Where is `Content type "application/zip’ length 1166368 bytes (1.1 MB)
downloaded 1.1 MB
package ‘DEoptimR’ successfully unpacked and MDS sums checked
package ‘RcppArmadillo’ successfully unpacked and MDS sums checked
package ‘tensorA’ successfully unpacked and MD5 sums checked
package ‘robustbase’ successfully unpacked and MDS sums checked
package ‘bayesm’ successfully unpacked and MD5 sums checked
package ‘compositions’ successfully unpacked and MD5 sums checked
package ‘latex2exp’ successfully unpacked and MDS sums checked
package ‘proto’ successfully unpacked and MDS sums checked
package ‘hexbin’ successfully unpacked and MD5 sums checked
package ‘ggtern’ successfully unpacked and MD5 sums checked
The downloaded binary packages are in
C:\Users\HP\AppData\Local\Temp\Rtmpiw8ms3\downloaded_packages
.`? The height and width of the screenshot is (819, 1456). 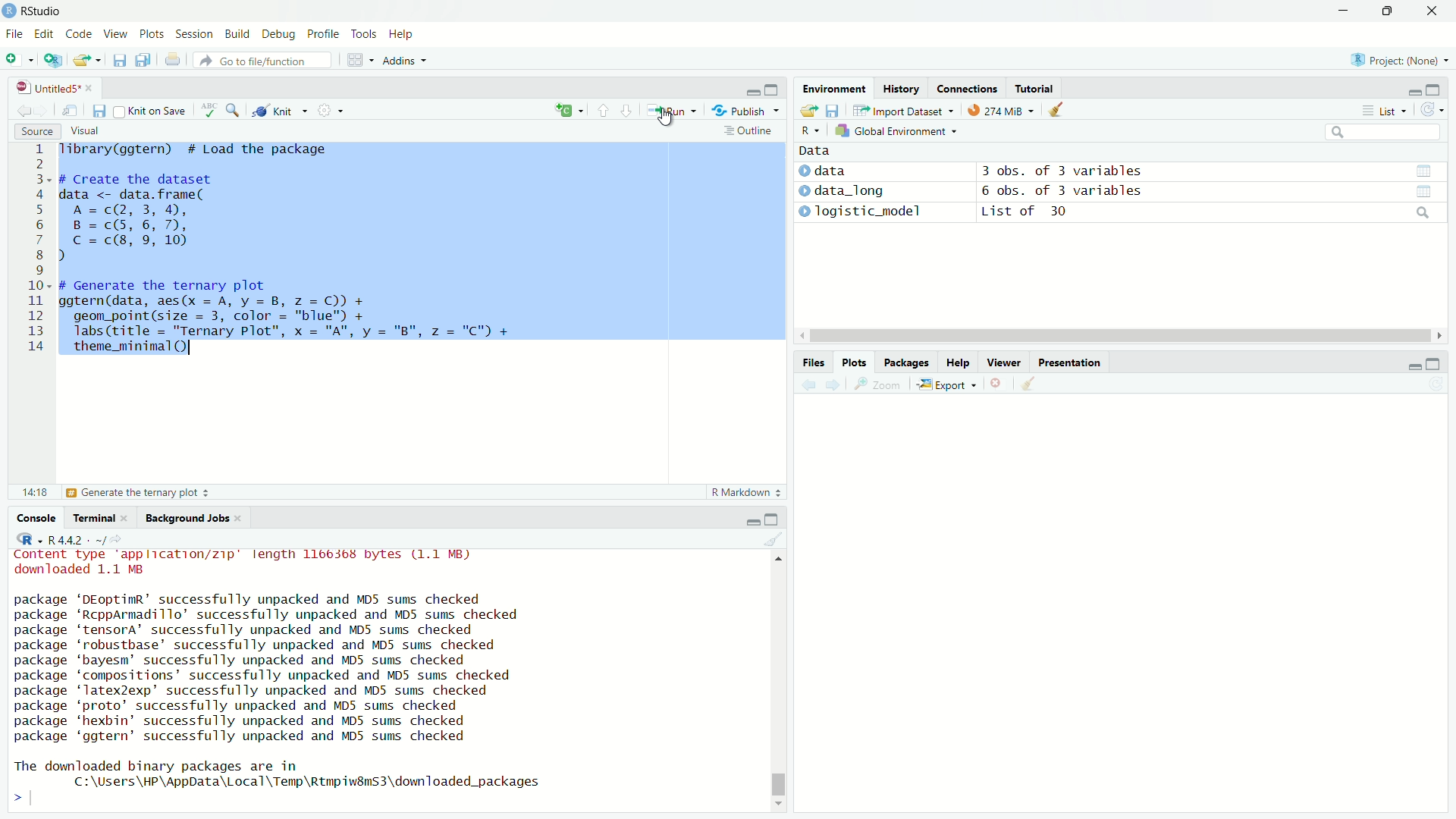
Content type "application/zip’ length 1166368 bytes (1.1 MB)
downloaded 1.1 MB
package ‘DEoptimR’ successfully unpacked and MDS sums checked
package ‘RcppArmadillo’ successfully unpacked and MDS sums checked
package ‘tensorA’ successfully unpacked and MD5 sums checked
package ‘robustbase’ successfully unpacked and MDS sums checked
package ‘bayesm’ successfully unpacked and MD5 sums checked
package ‘compositions’ successfully unpacked and MD5 sums checked
package ‘latex2exp’ successfully unpacked and MDS sums checked
package ‘proto’ successfully unpacked and MDS sums checked
package ‘hexbin’ successfully unpacked and MD5 sums checked
package ‘ggtern’ successfully unpacked and MD5 sums checked
The downloaded binary packages are in
C:\Users\HP\AppData\Local\Temp\Rtmpiw8ms3\downloaded_packages
. is located at coordinates (291, 674).